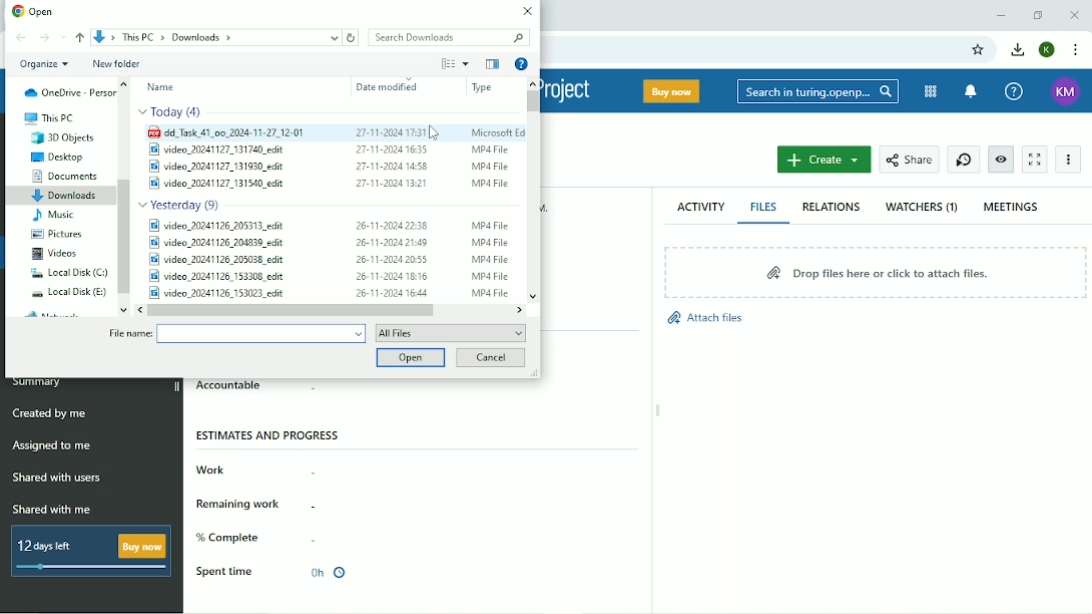  I want to click on Relations, so click(831, 207).